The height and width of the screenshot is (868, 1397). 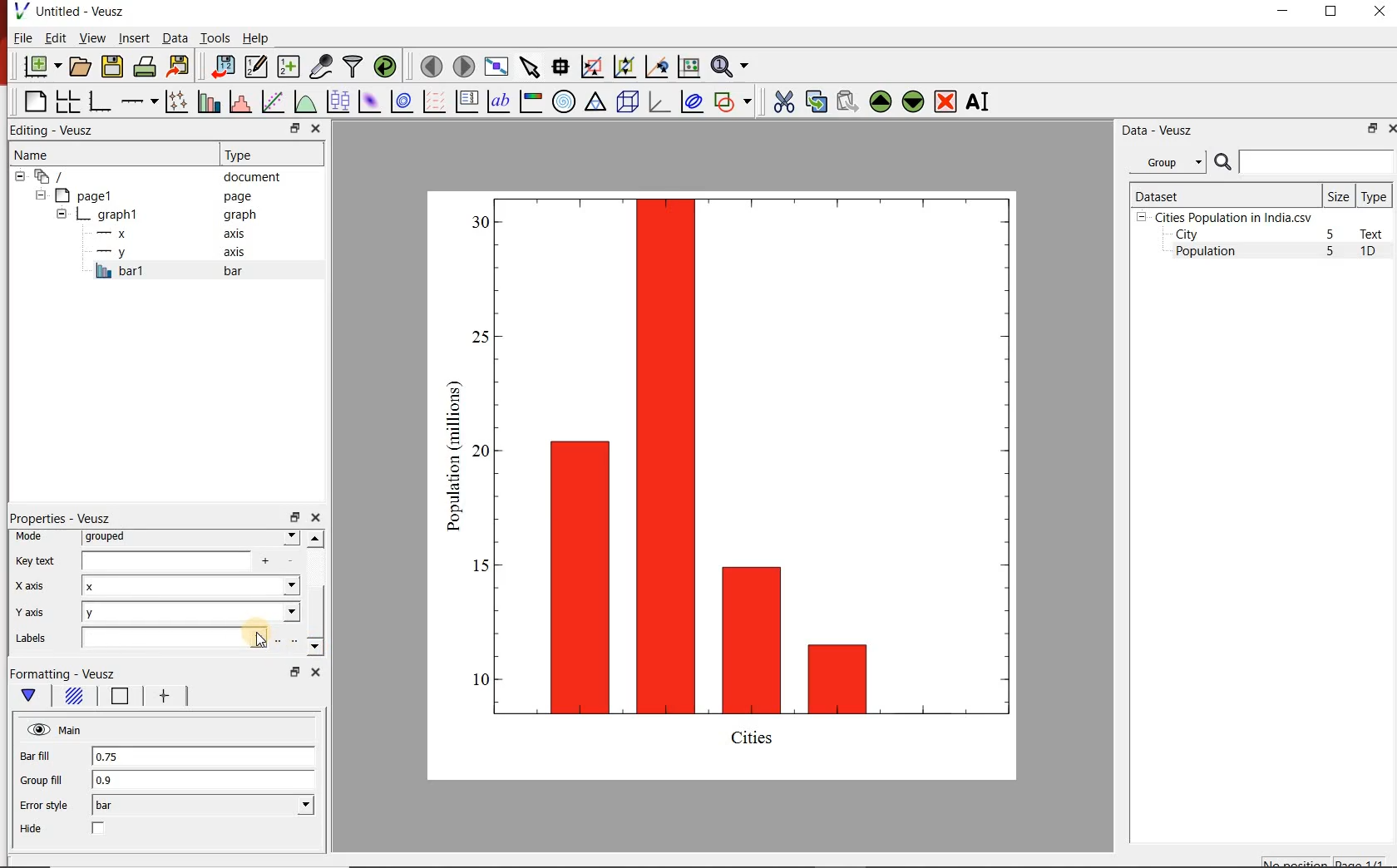 What do you see at coordinates (153, 175) in the screenshot?
I see `document` at bounding box center [153, 175].